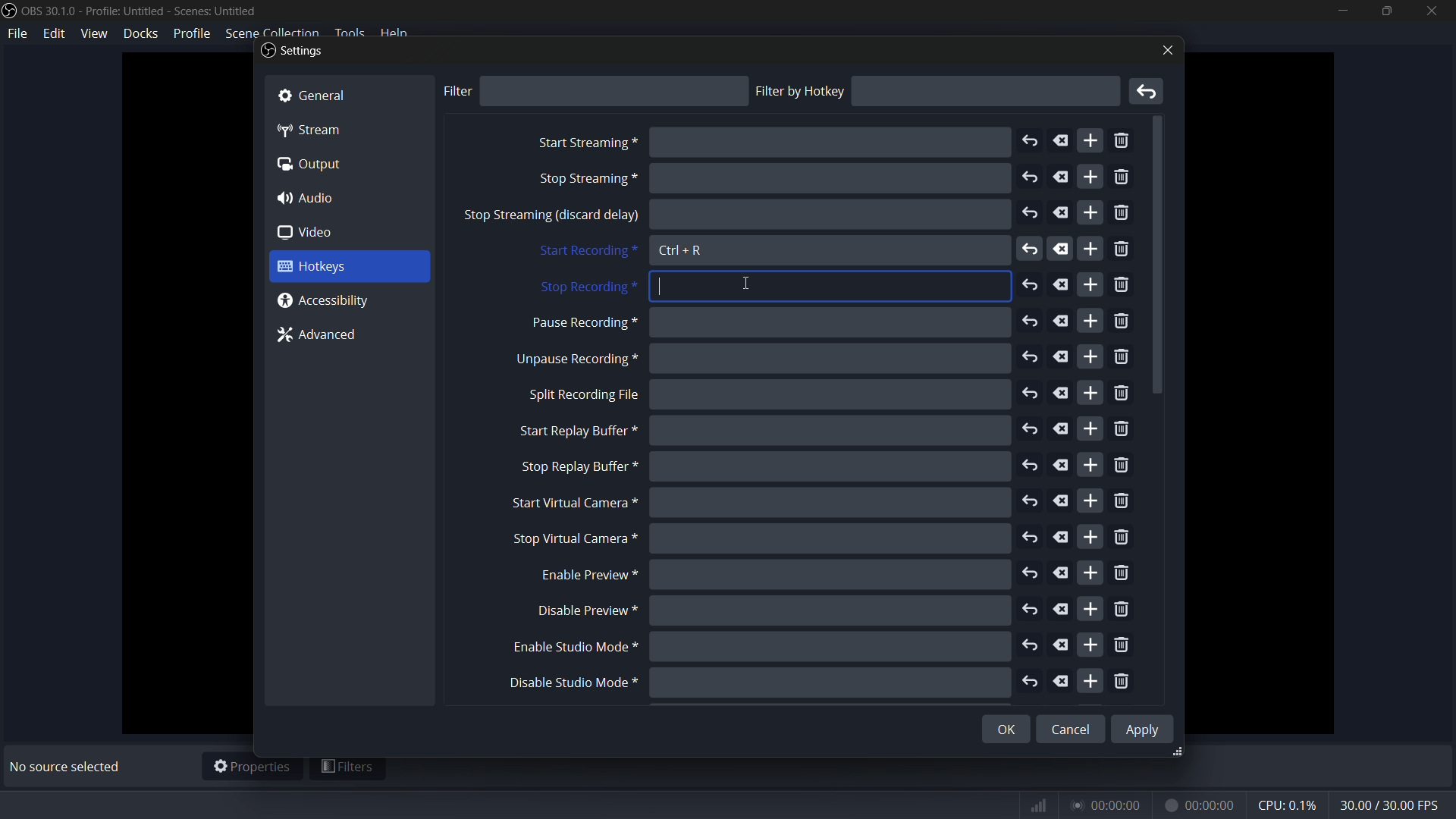 The image size is (1456, 819). What do you see at coordinates (1088, 284) in the screenshot?
I see `add more` at bounding box center [1088, 284].